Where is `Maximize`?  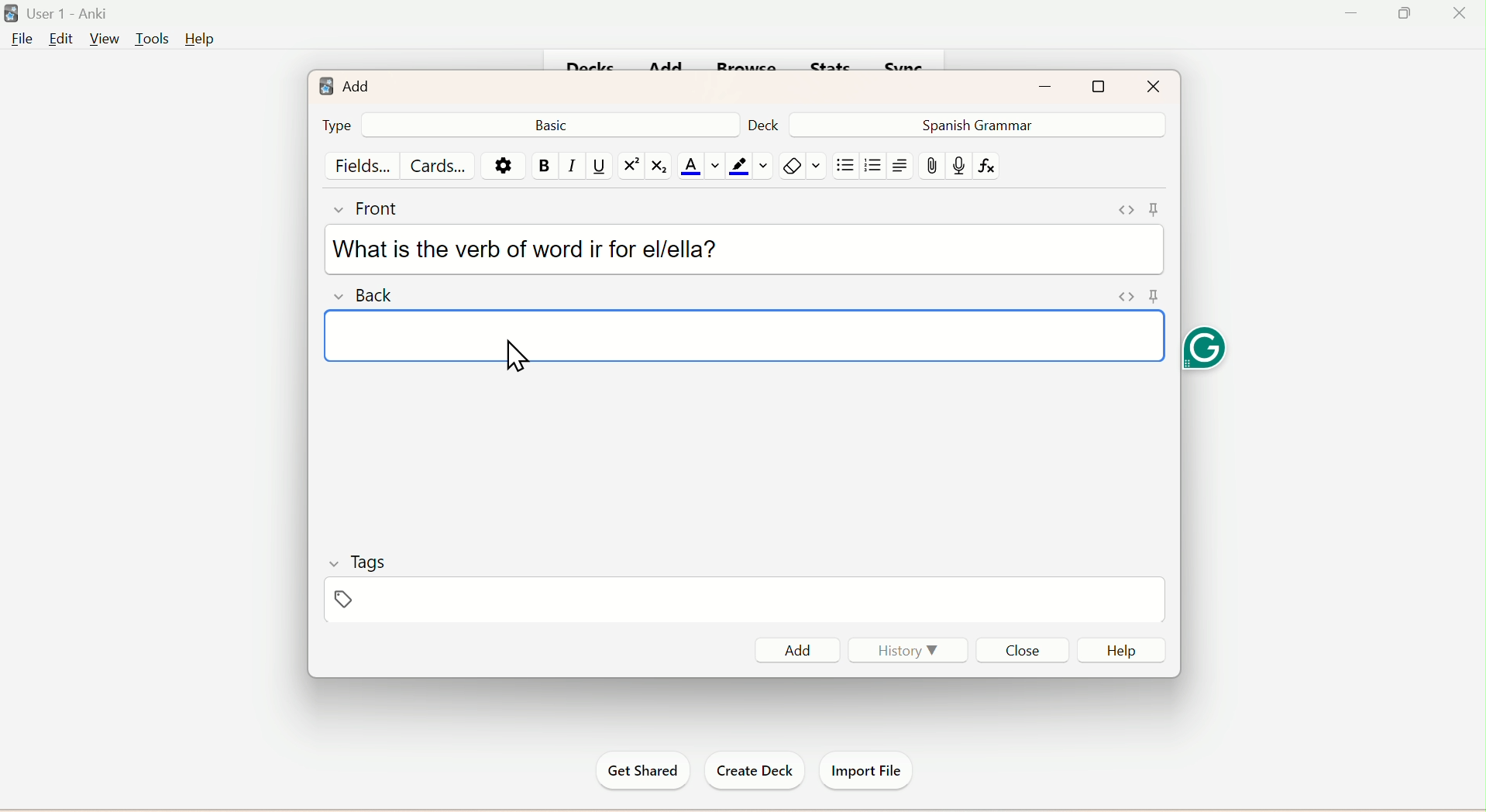 Maximize is located at coordinates (1410, 12).